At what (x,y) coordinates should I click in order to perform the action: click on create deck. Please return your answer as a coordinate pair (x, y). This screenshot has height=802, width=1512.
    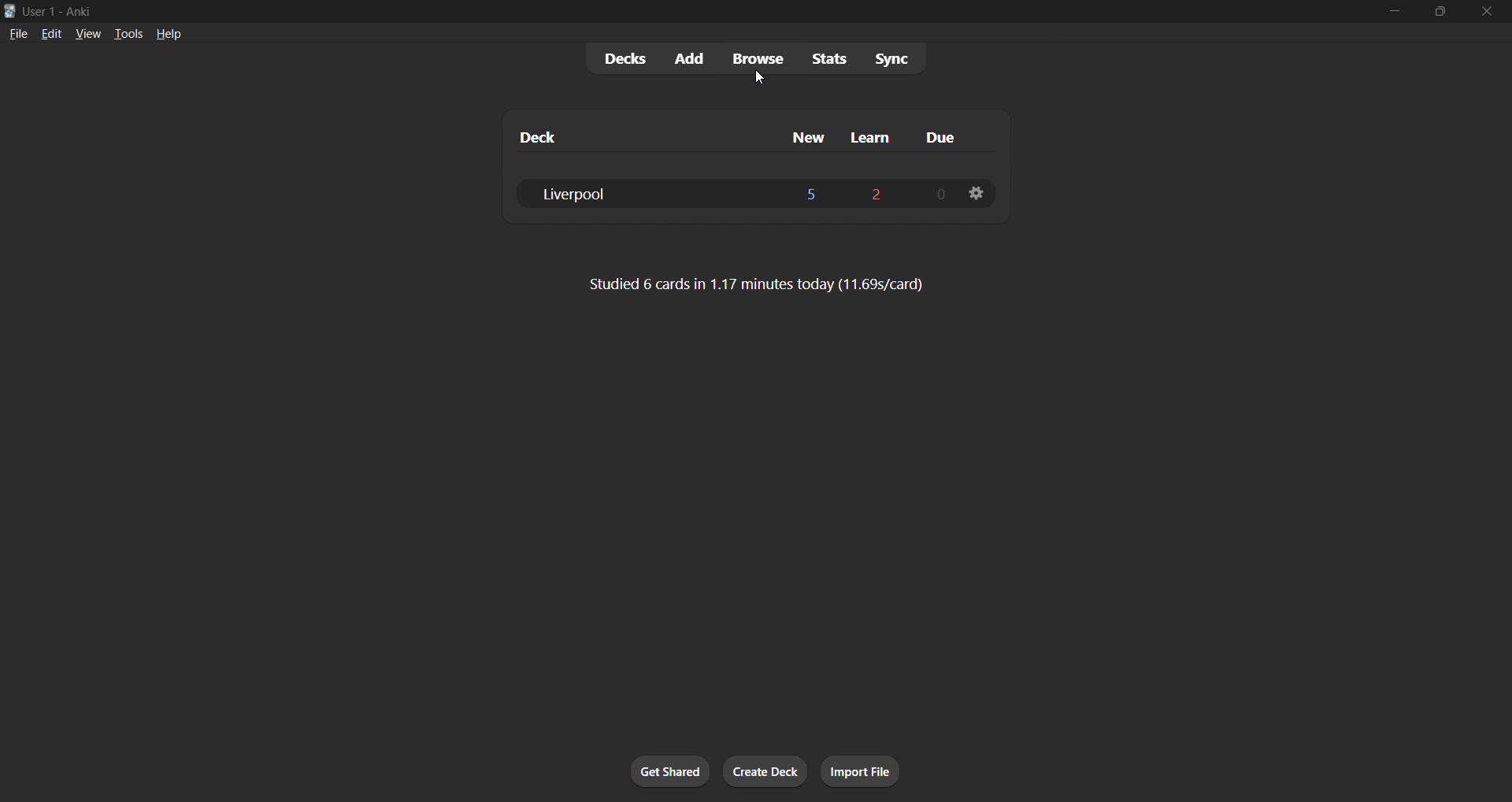
    Looking at the image, I should click on (767, 774).